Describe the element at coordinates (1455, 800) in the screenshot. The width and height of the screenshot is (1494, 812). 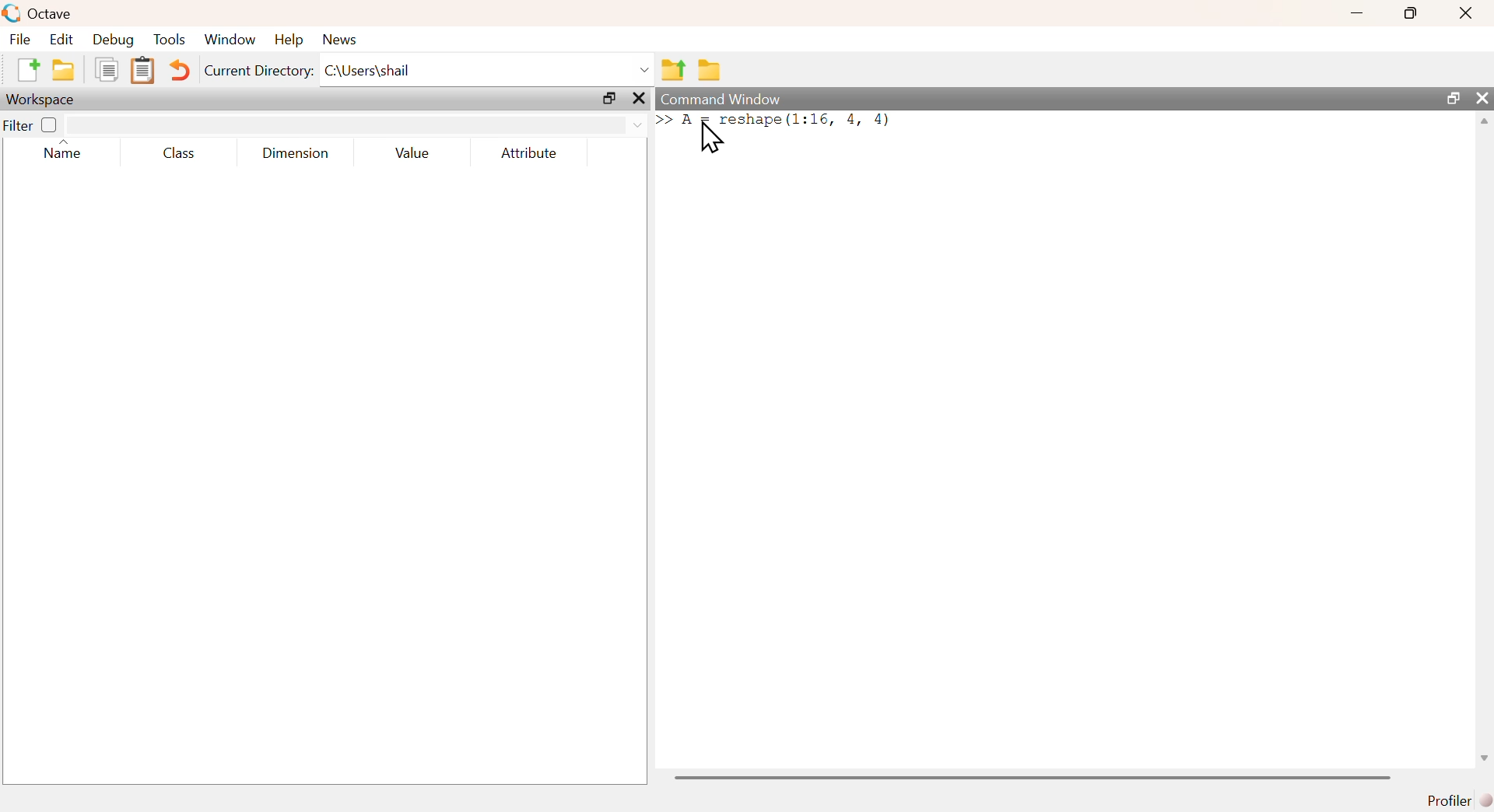
I see `profiler` at that location.